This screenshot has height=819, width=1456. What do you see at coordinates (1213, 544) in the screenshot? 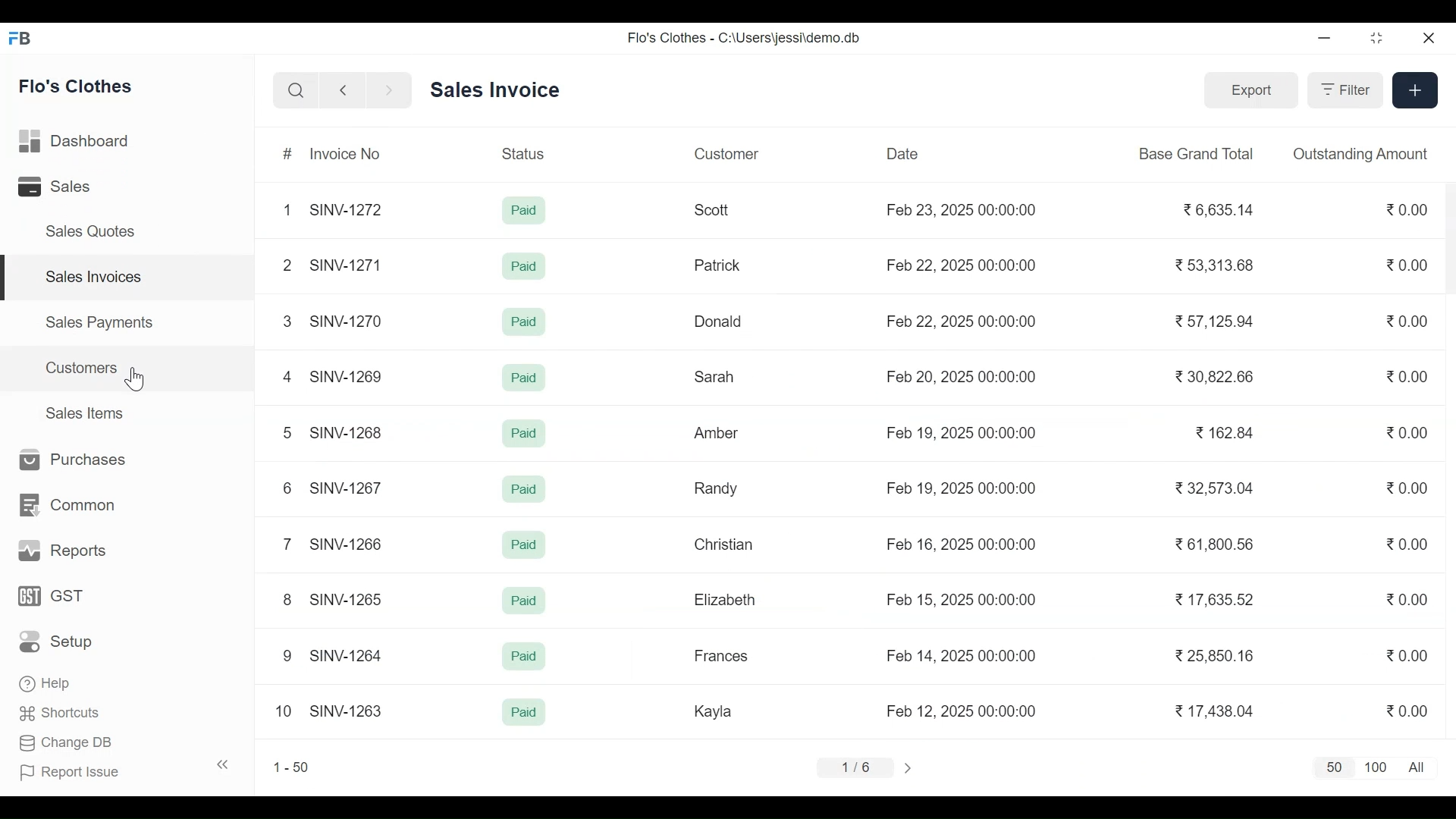
I see `61,800.56` at bounding box center [1213, 544].